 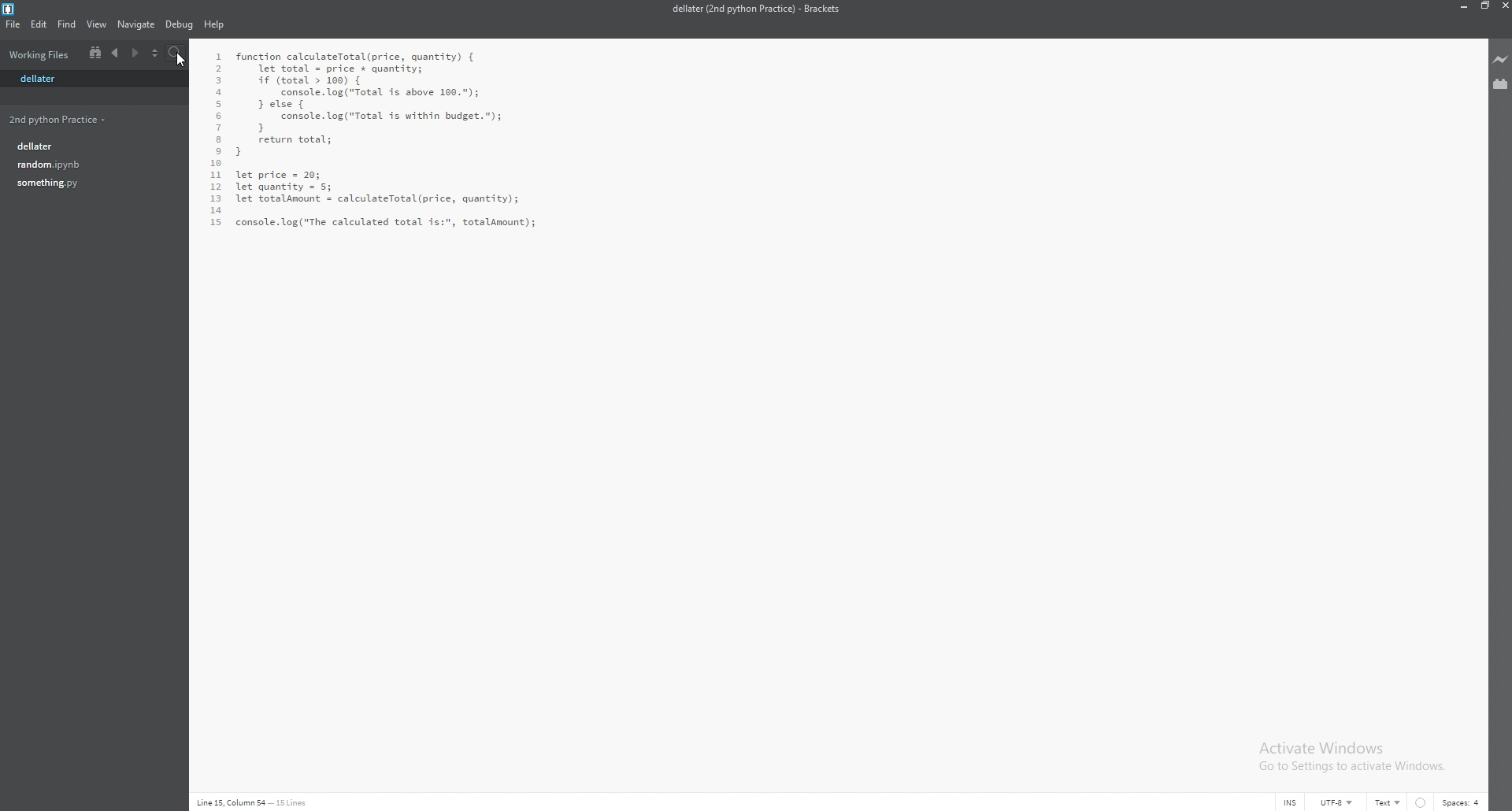 What do you see at coordinates (1421, 802) in the screenshot?
I see `linter` at bounding box center [1421, 802].